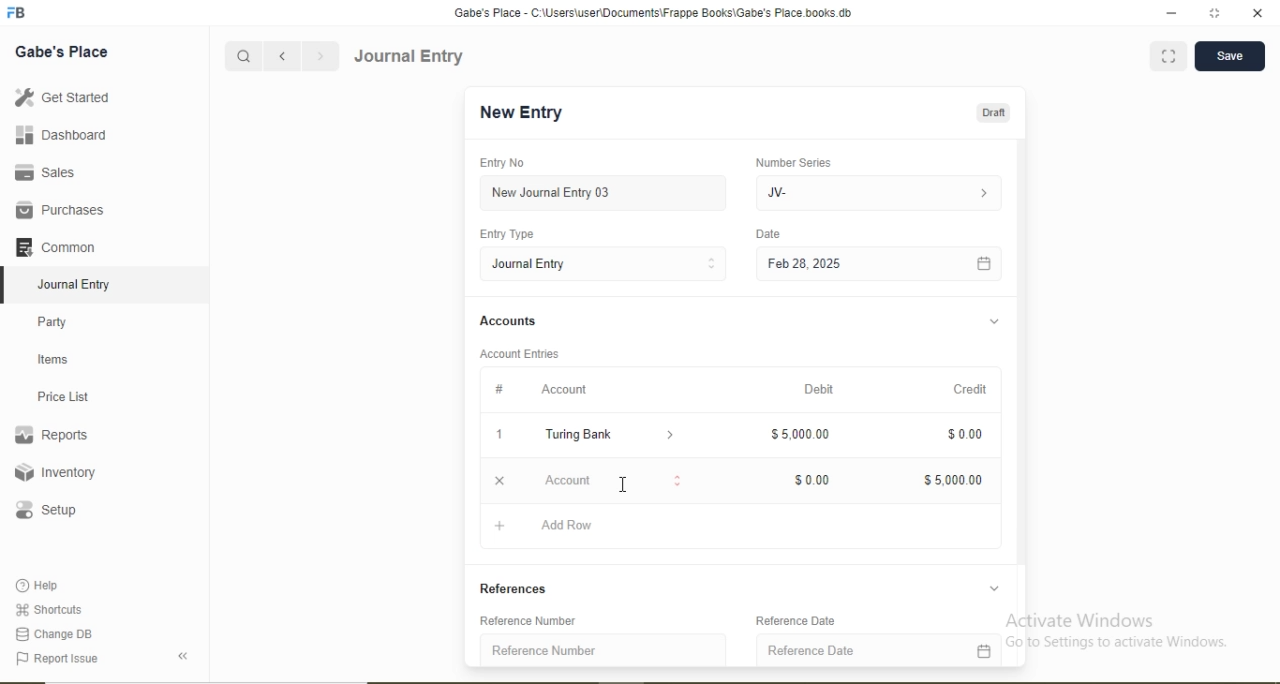 The height and width of the screenshot is (684, 1280). What do you see at coordinates (1229, 54) in the screenshot?
I see `Save` at bounding box center [1229, 54].